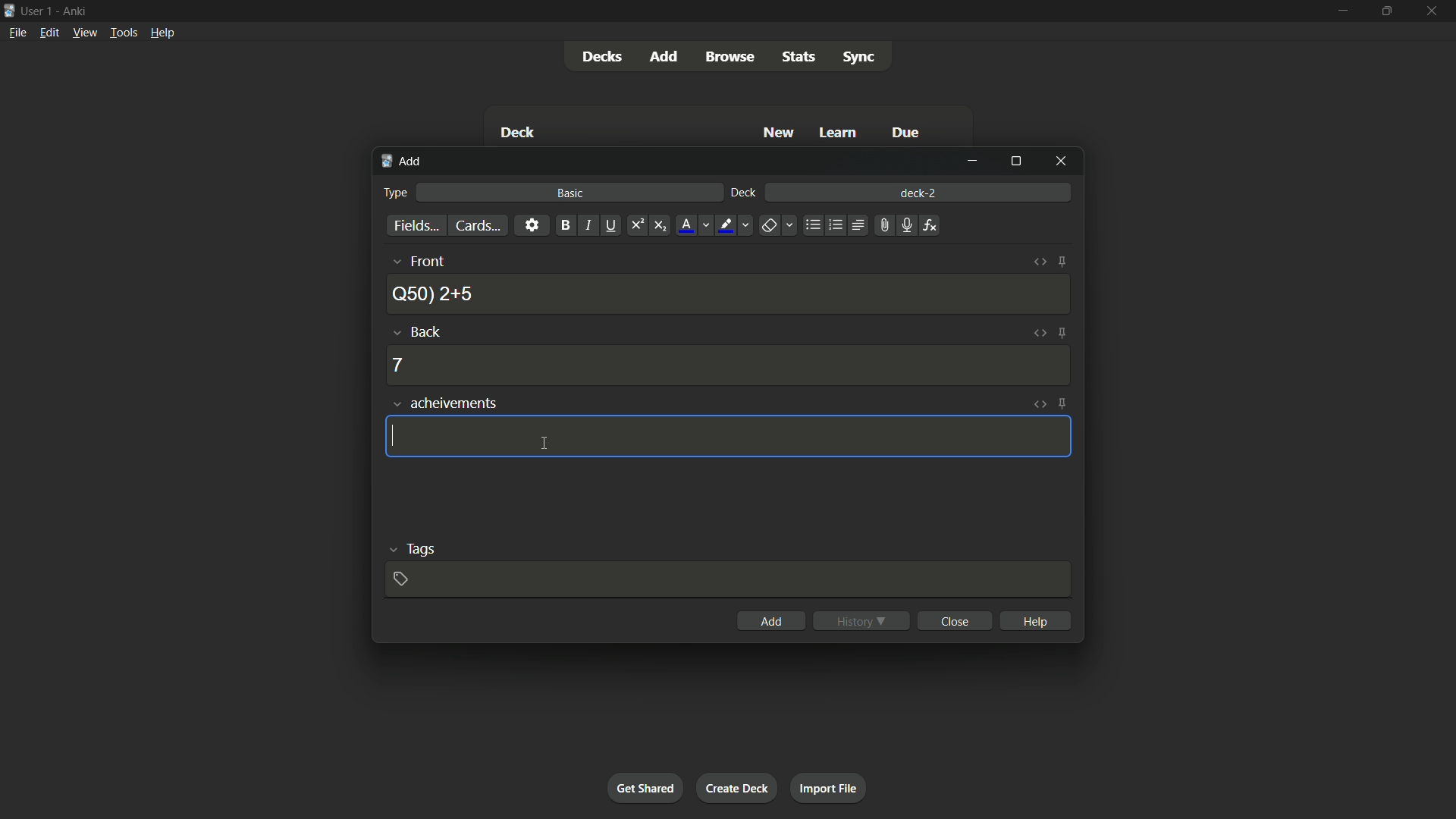  Describe the element at coordinates (1039, 405) in the screenshot. I see `toggle html editor` at that location.